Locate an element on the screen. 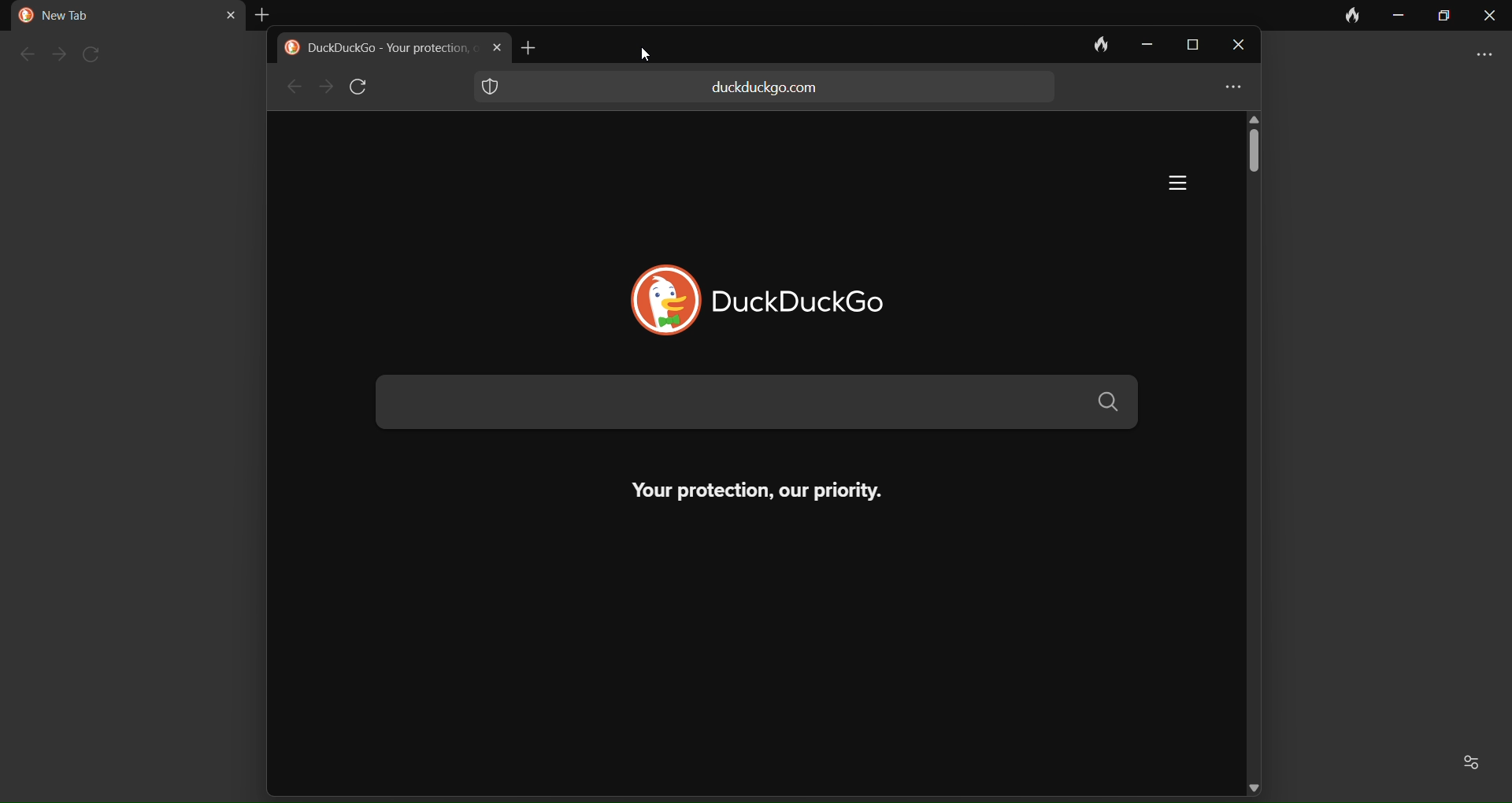  protection is located at coordinates (498, 90).